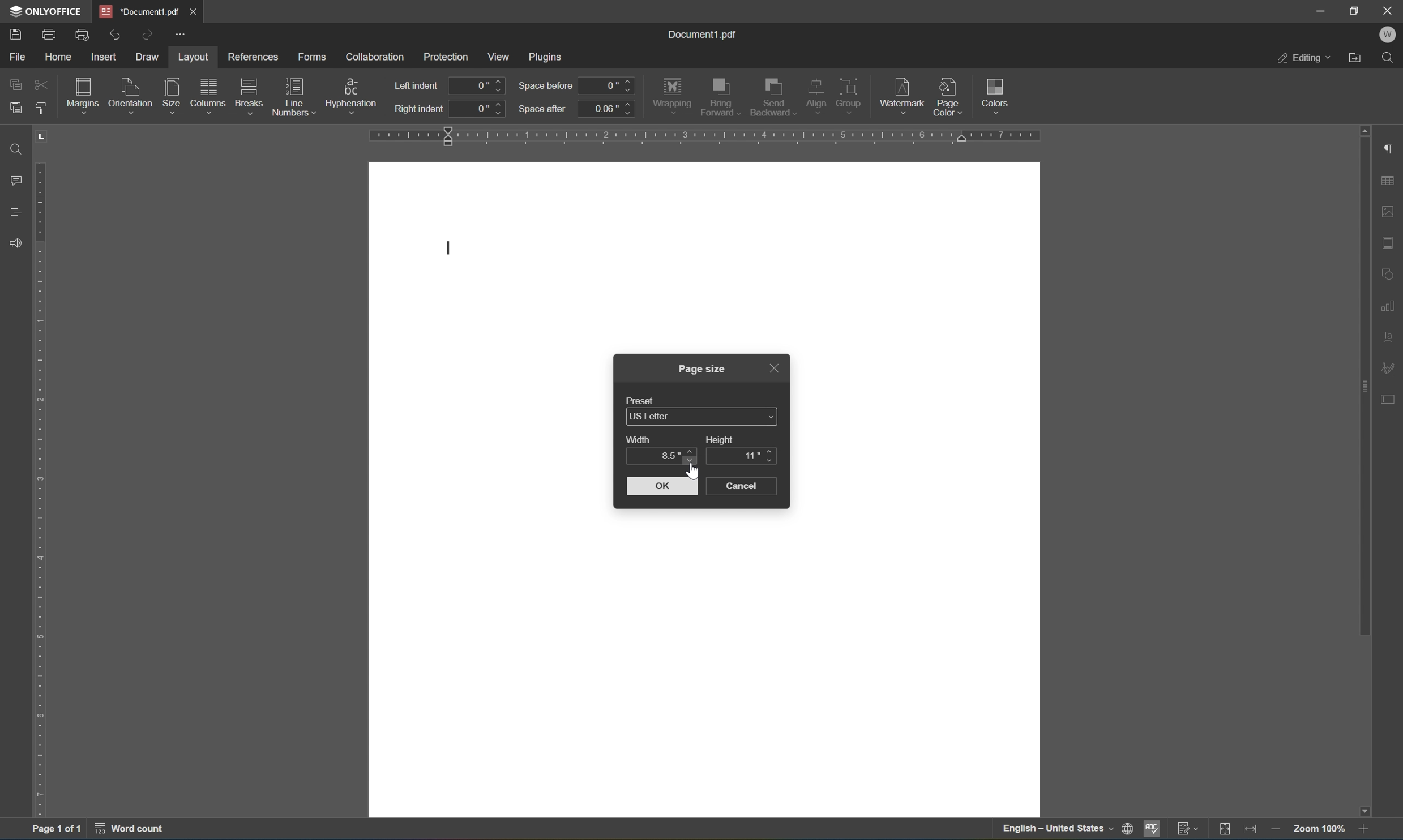  Describe the element at coordinates (1389, 243) in the screenshot. I see `header & footer settings` at that location.